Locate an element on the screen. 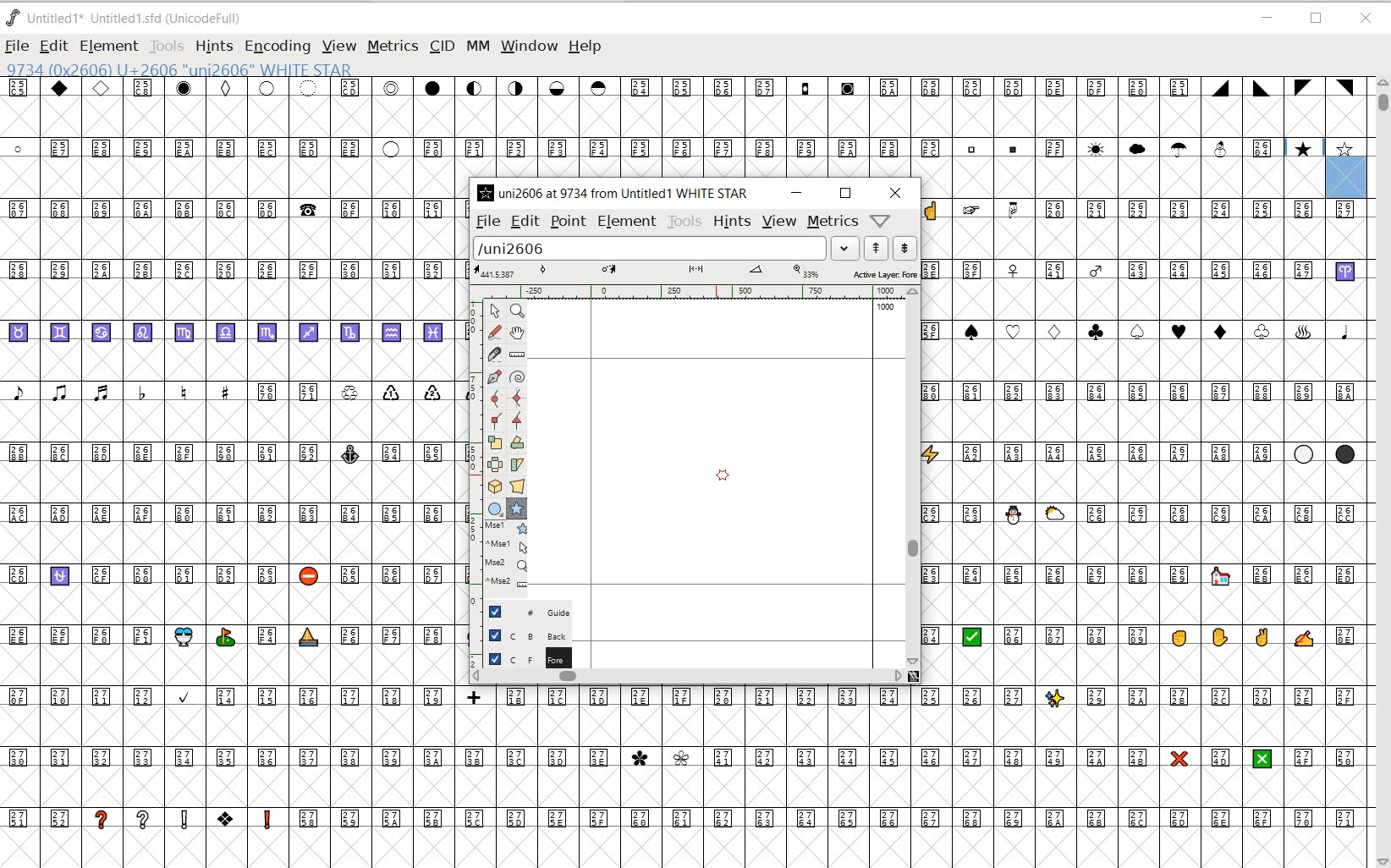 The width and height of the screenshot is (1391, 868). TOOLS is located at coordinates (684, 222).